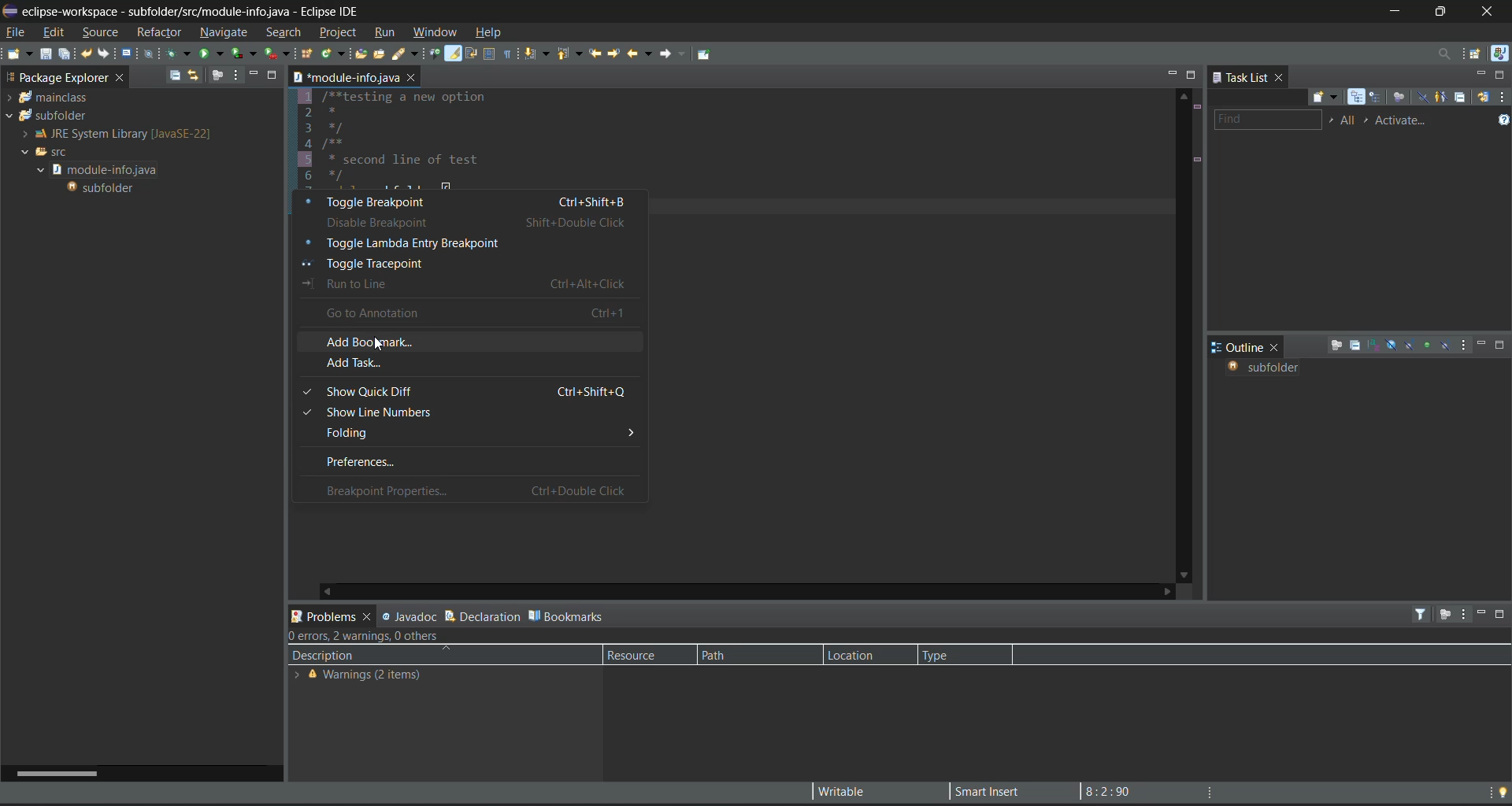 This screenshot has height=806, width=1512. Describe the element at coordinates (273, 74) in the screenshot. I see `maximize` at that location.